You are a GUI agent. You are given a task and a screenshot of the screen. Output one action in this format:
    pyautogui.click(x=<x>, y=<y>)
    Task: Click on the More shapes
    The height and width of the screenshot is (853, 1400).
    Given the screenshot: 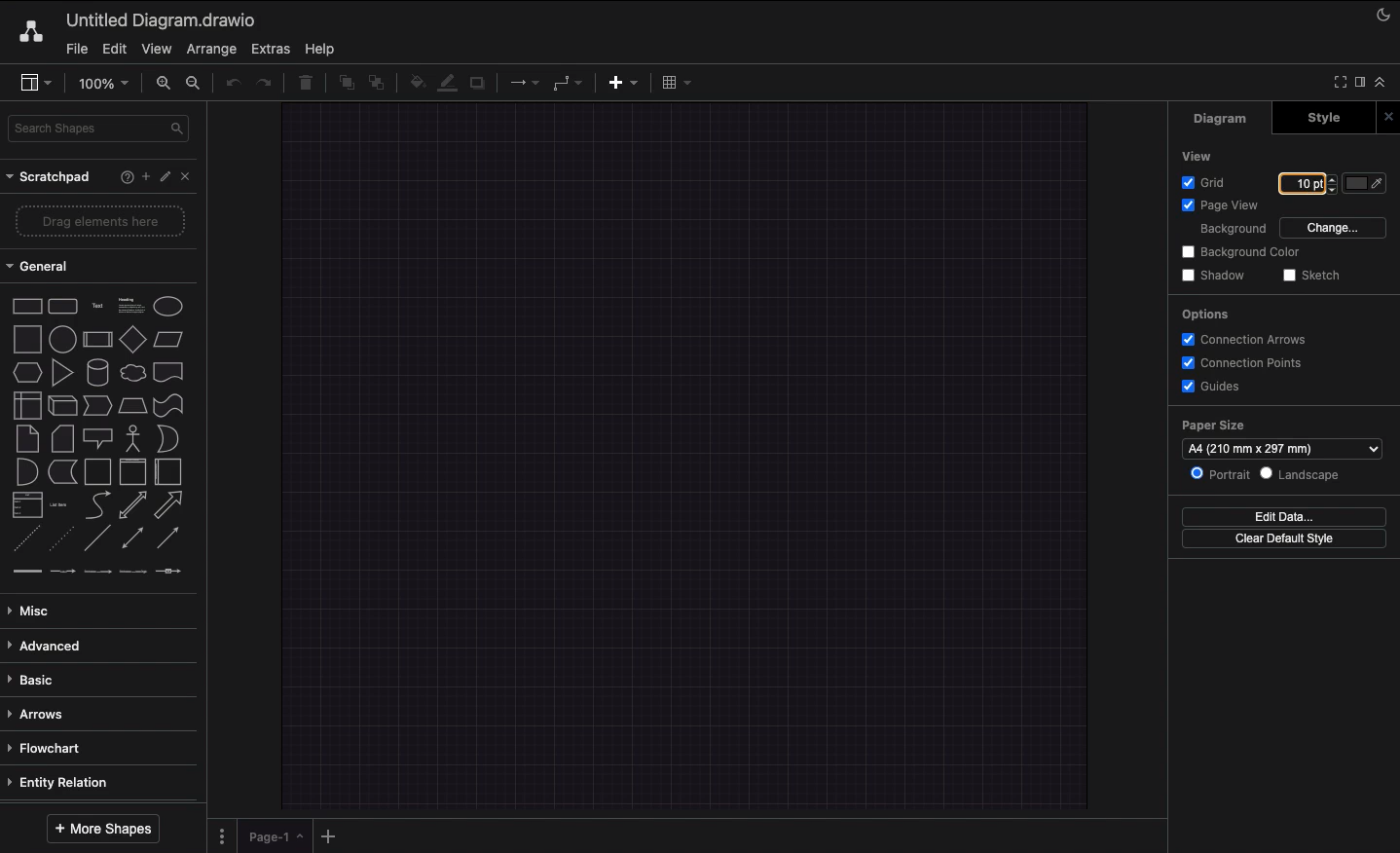 What is the action you would take?
    pyautogui.click(x=102, y=830)
    